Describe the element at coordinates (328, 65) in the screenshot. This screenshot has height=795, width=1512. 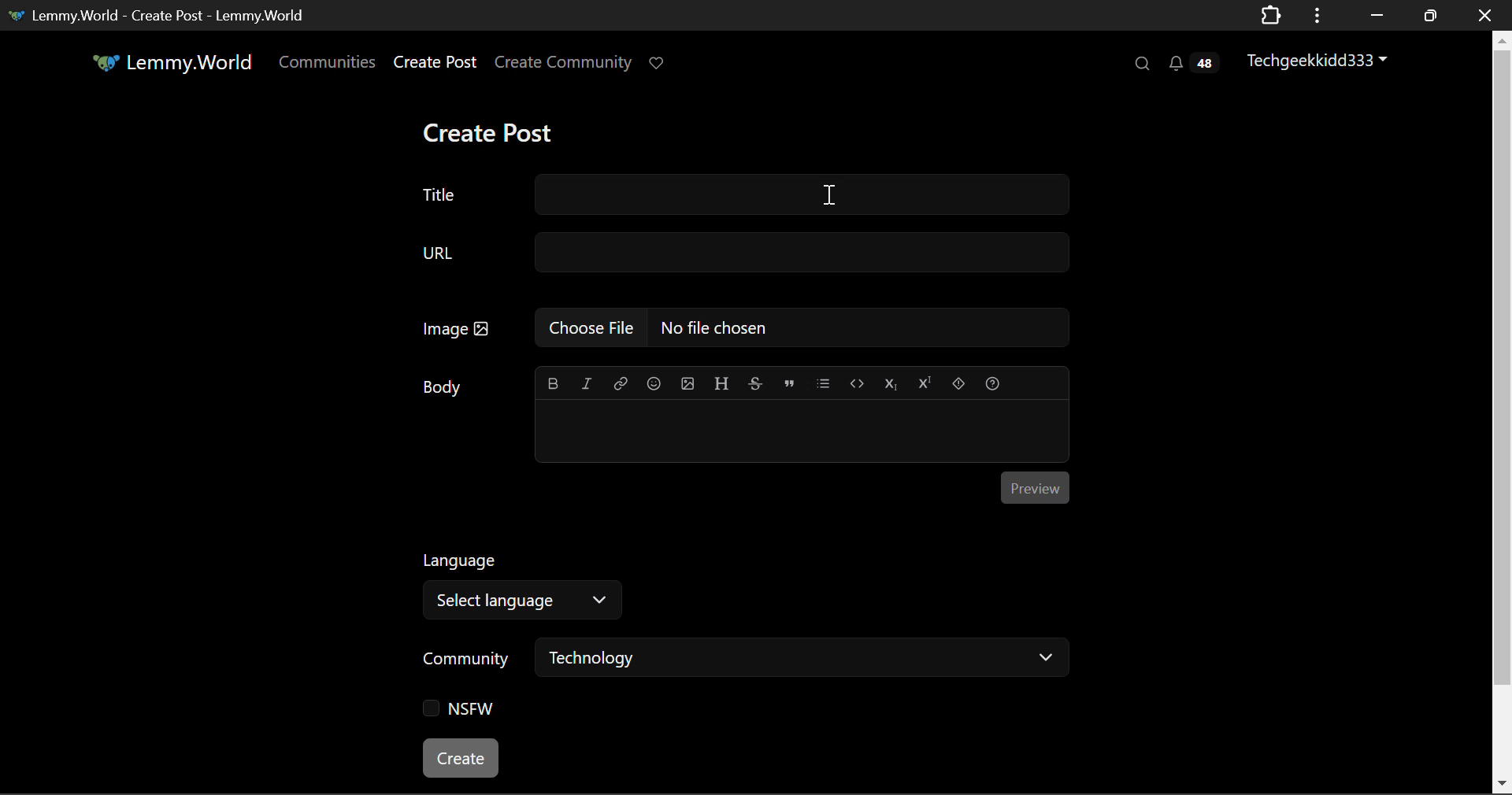
I see `Communities` at that location.